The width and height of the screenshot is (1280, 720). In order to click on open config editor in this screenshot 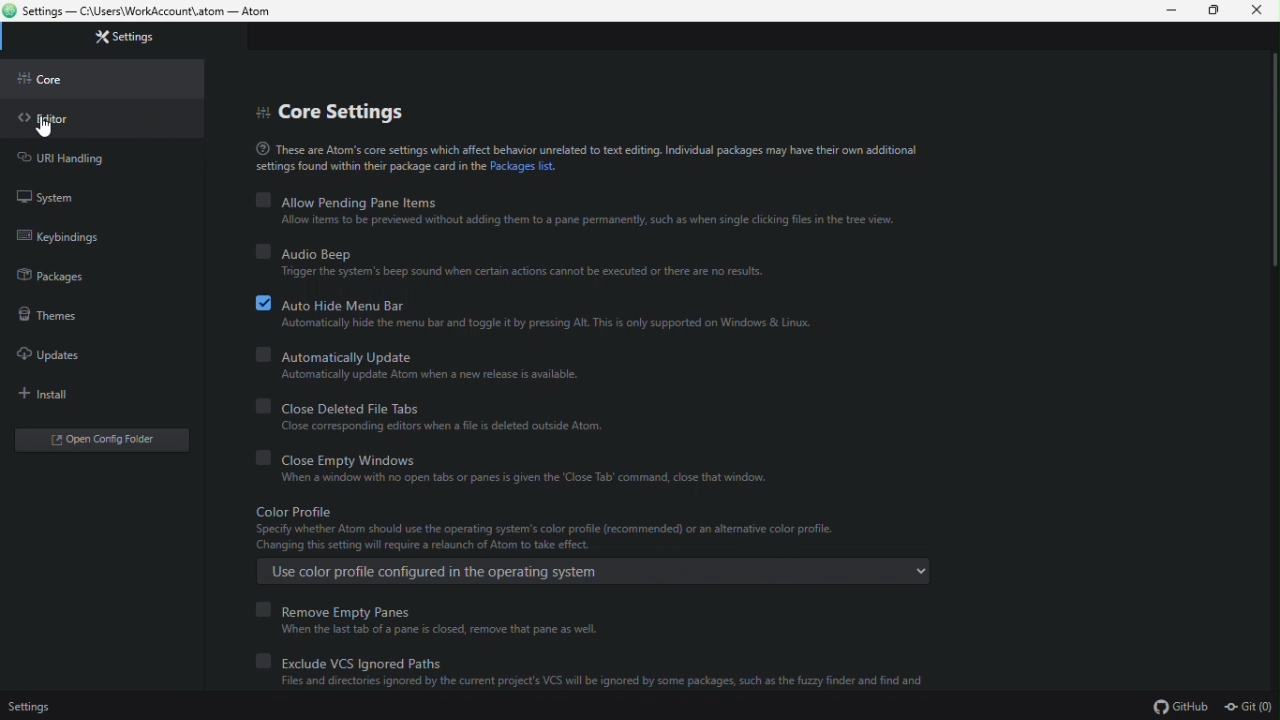, I will do `click(98, 440)`.